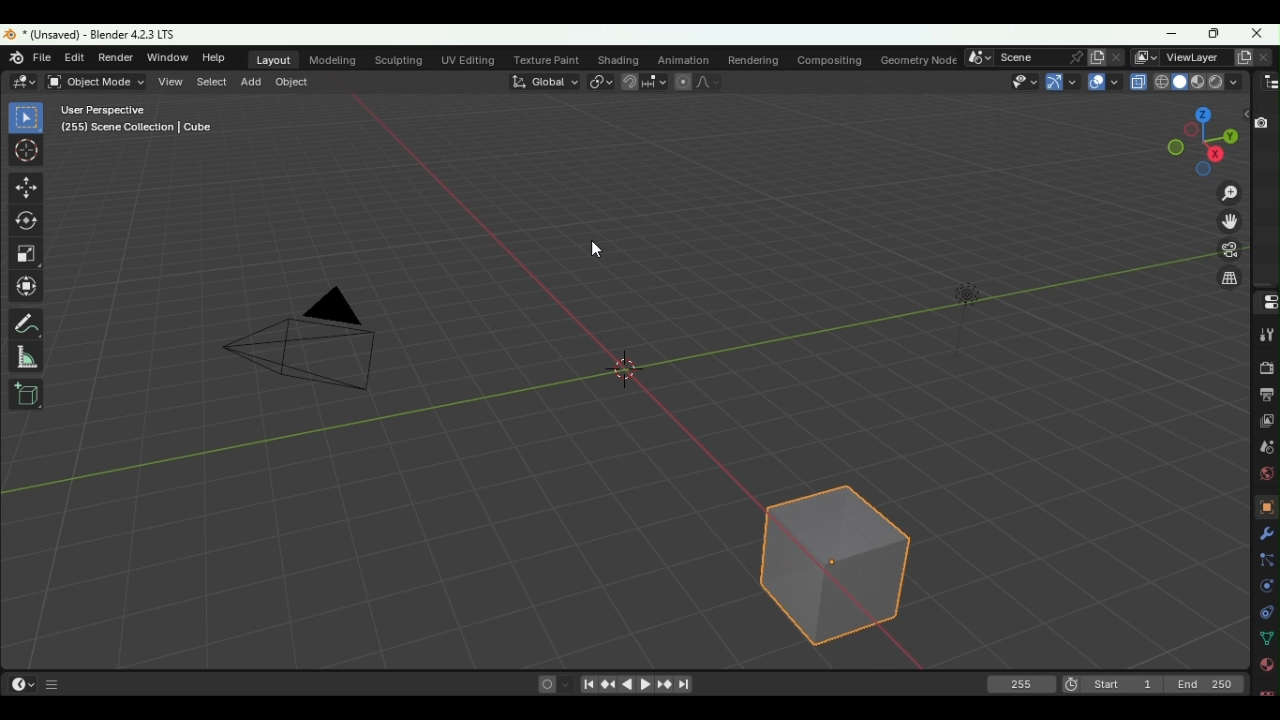 This screenshot has height=720, width=1280. Describe the element at coordinates (75, 59) in the screenshot. I see `Edit` at that location.